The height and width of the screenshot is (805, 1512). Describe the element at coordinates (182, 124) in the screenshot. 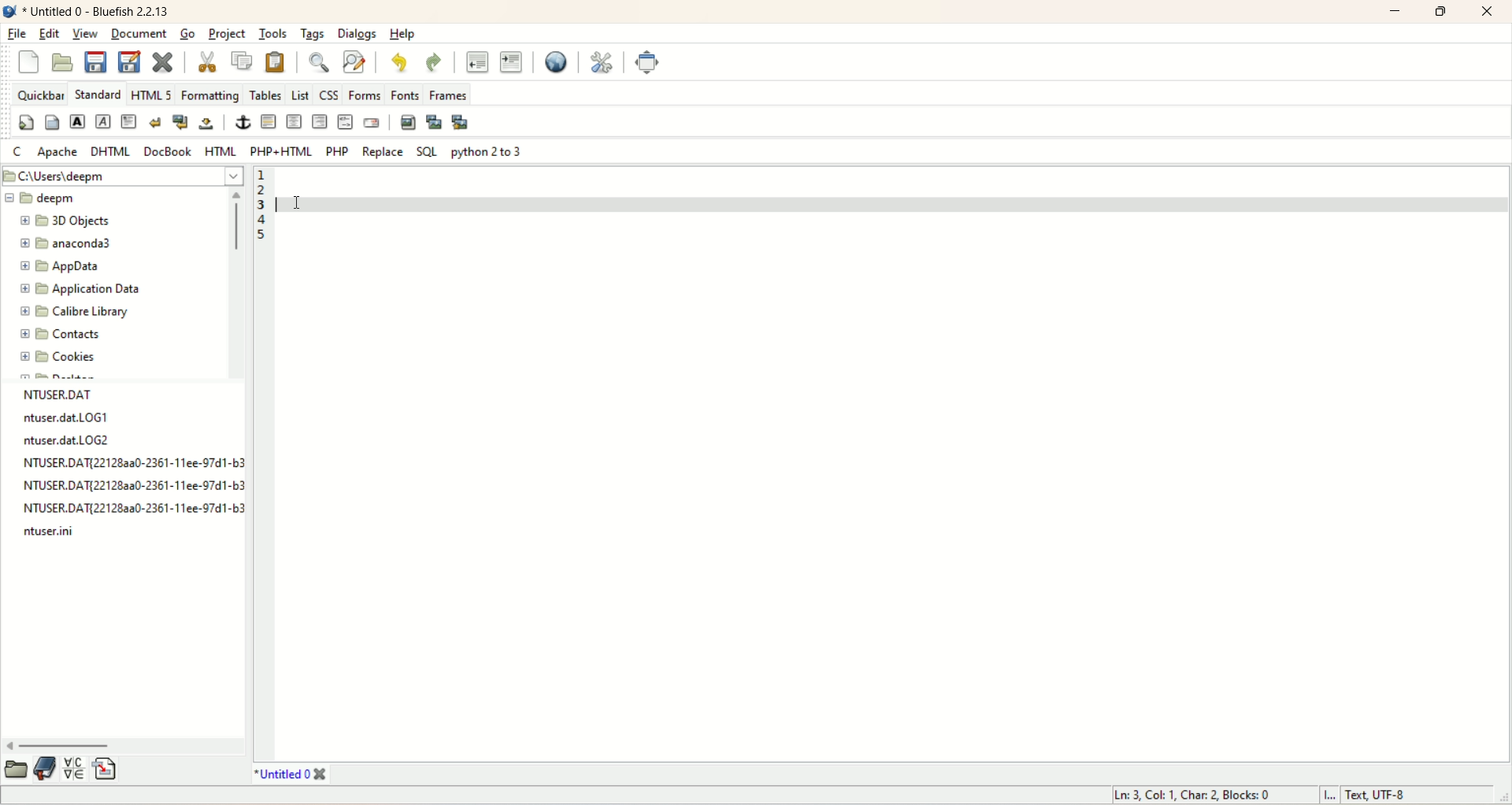

I see `break and clean` at that location.